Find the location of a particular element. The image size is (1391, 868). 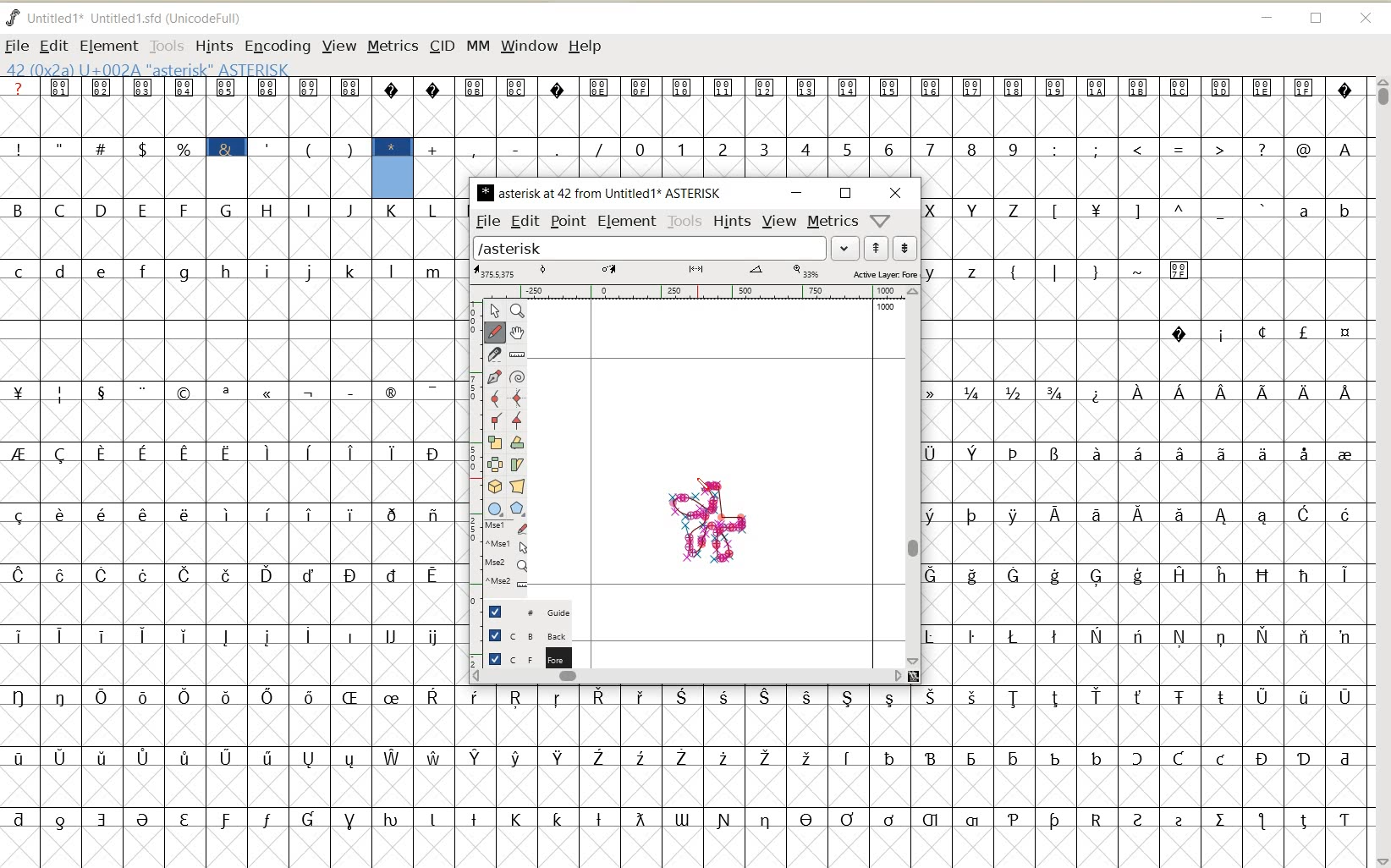

WINDOW is located at coordinates (528, 47).